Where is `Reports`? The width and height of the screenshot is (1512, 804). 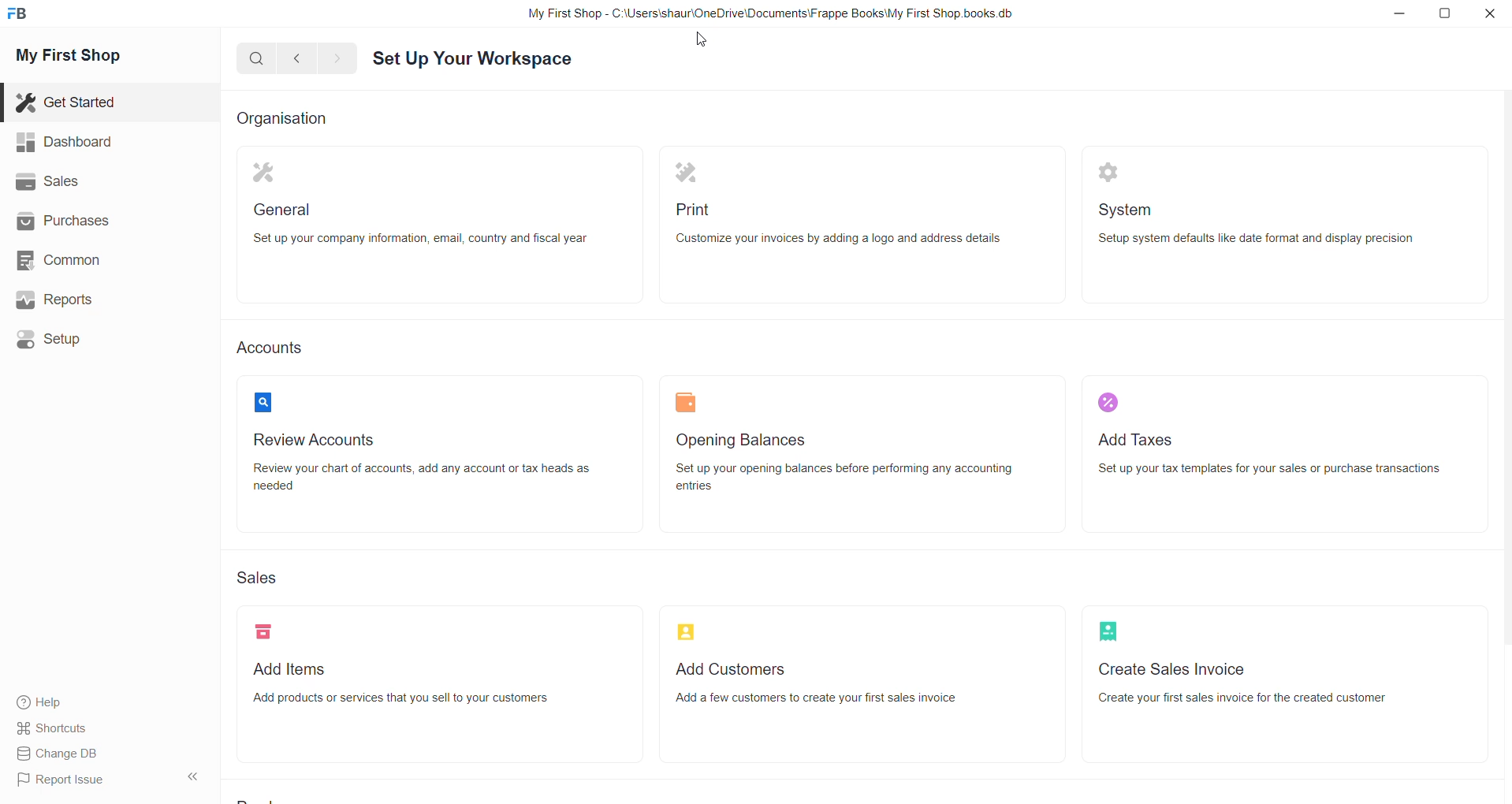
Reports is located at coordinates (57, 300).